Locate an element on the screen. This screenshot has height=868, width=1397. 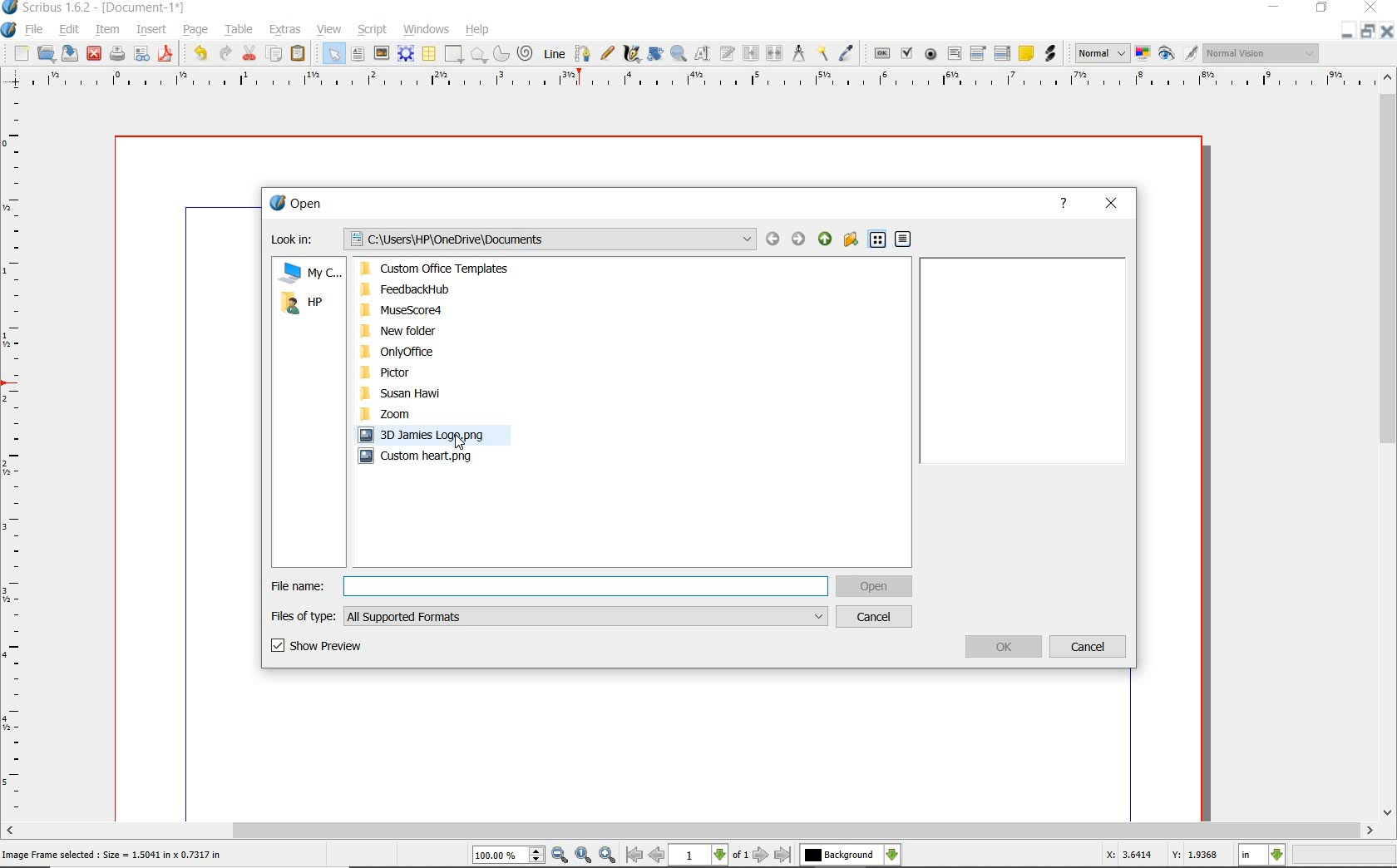
unlink text frames is located at coordinates (776, 53).